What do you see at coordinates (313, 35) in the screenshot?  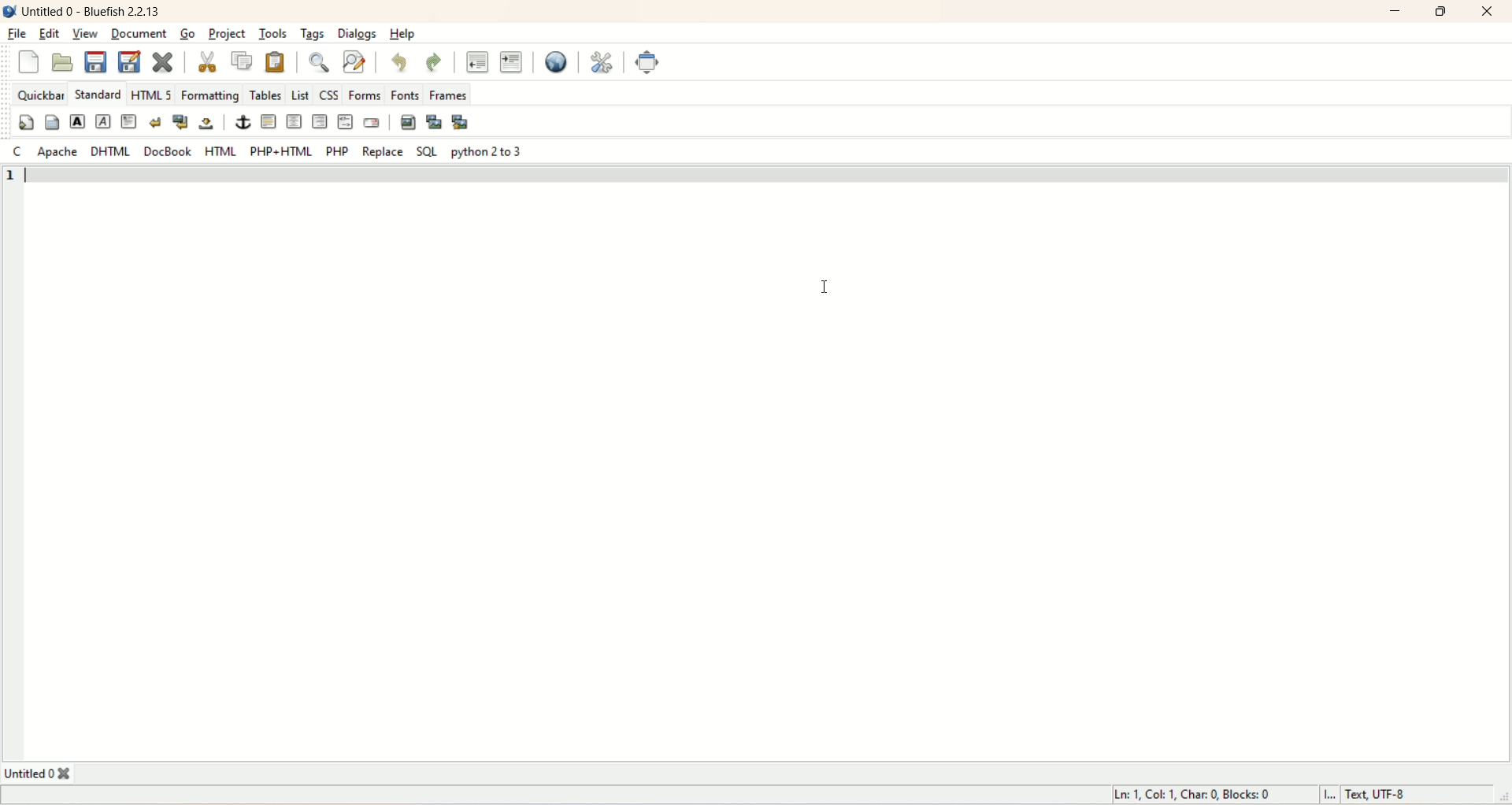 I see `tags` at bounding box center [313, 35].